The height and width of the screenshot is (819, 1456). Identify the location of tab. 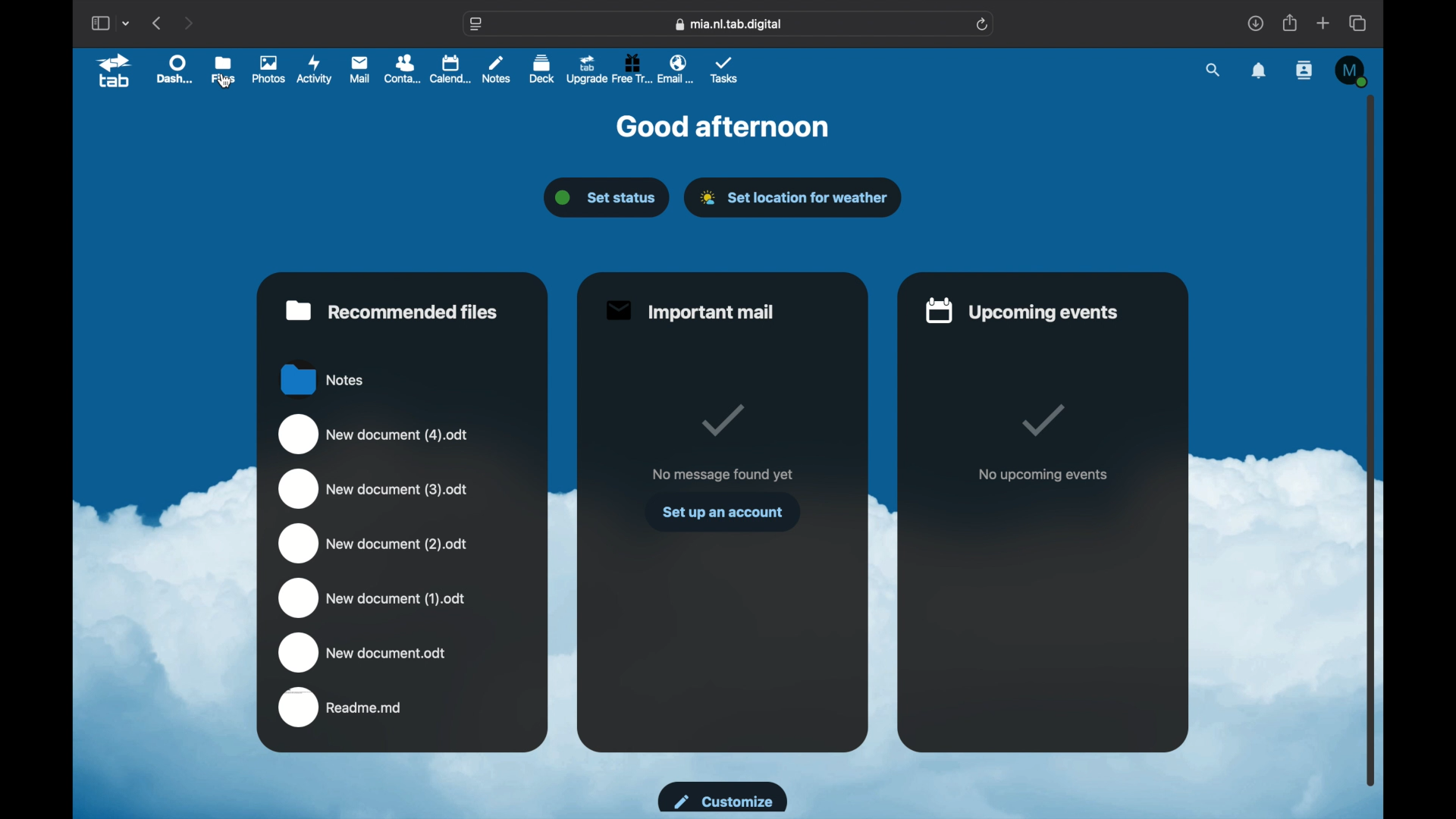
(115, 71).